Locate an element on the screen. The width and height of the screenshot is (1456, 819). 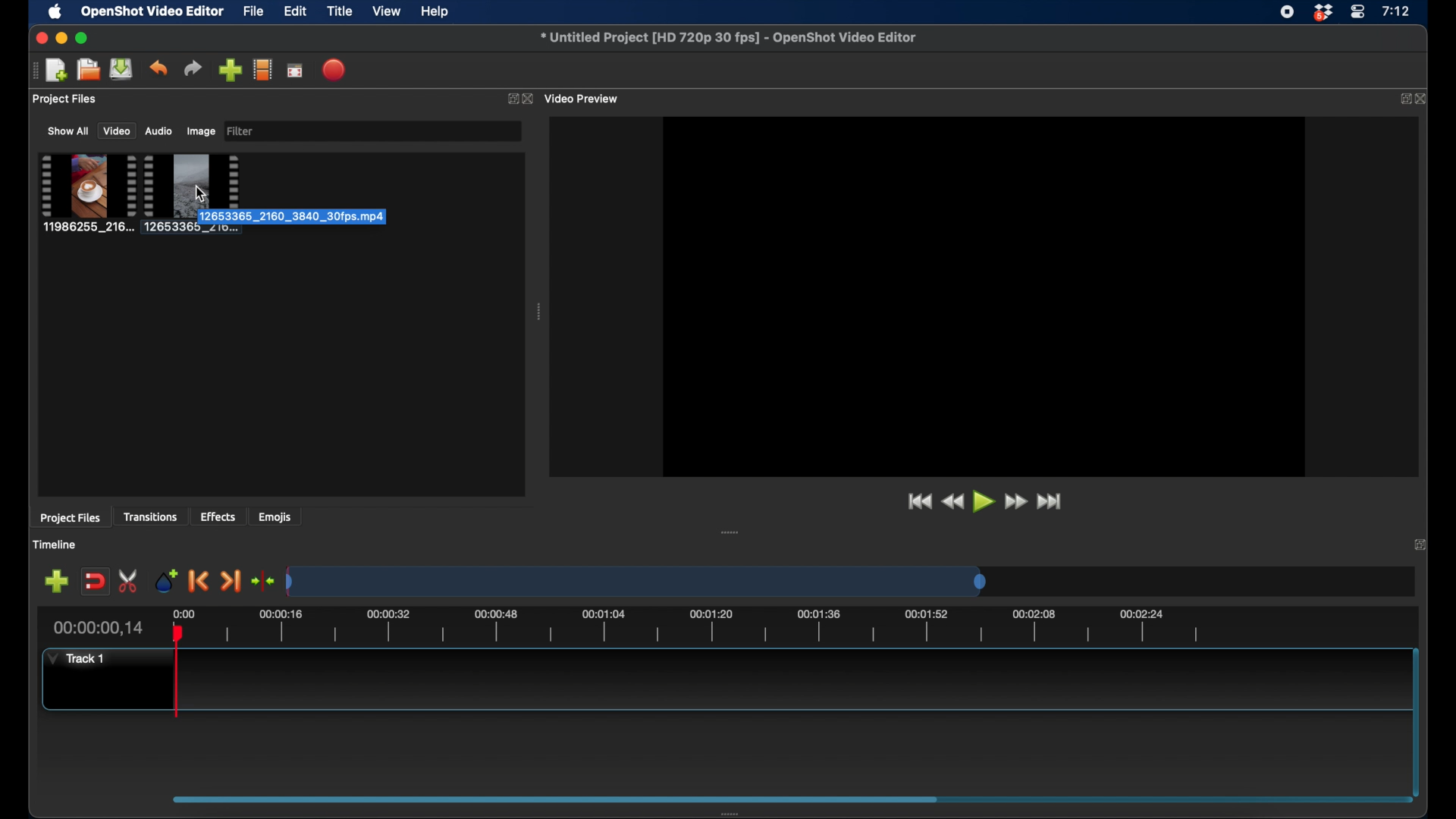
close is located at coordinates (531, 99).